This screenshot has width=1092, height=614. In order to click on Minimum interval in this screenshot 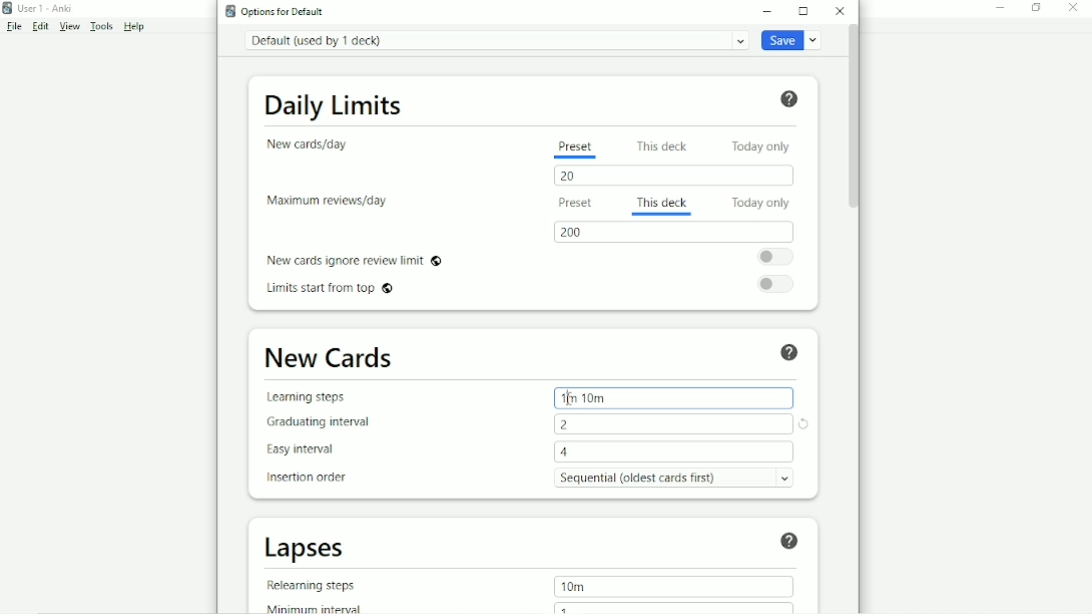, I will do `click(309, 607)`.